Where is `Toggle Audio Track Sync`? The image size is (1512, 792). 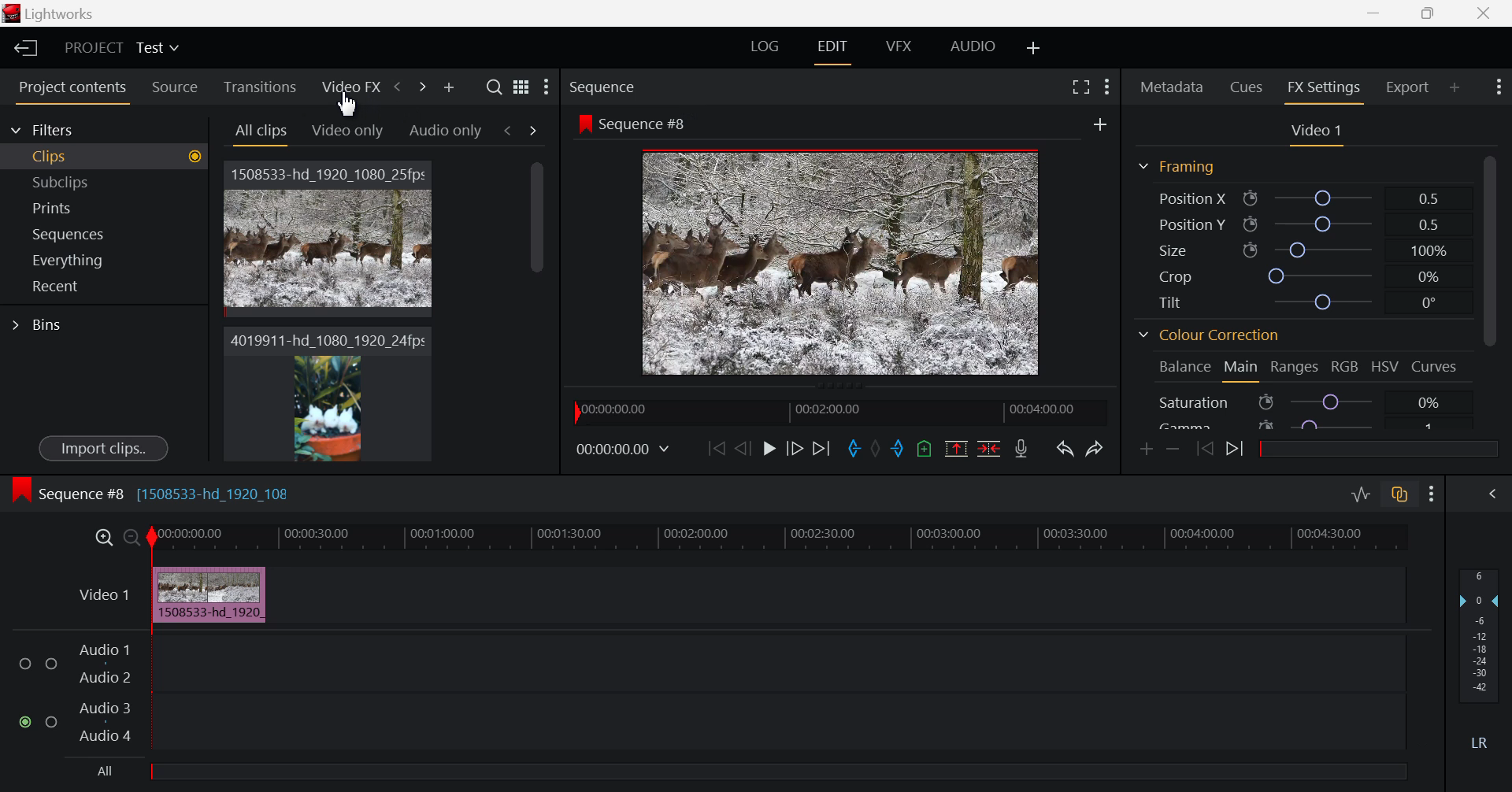 Toggle Audio Track Sync is located at coordinates (1398, 495).